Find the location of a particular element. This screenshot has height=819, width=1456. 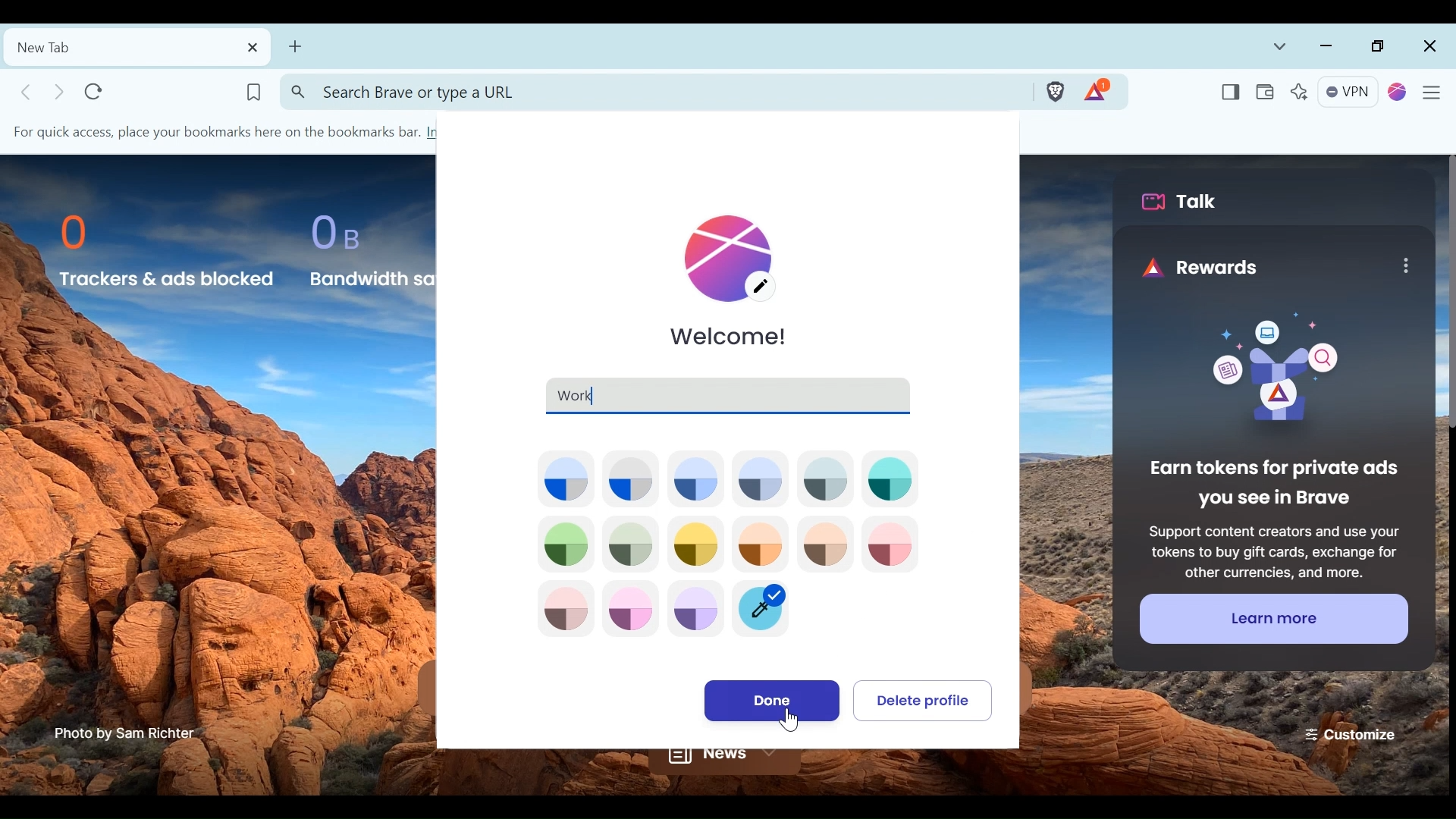

For quick access, place your bookmarks here on the bookmarks bar. Im is located at coordinates (226, 130).